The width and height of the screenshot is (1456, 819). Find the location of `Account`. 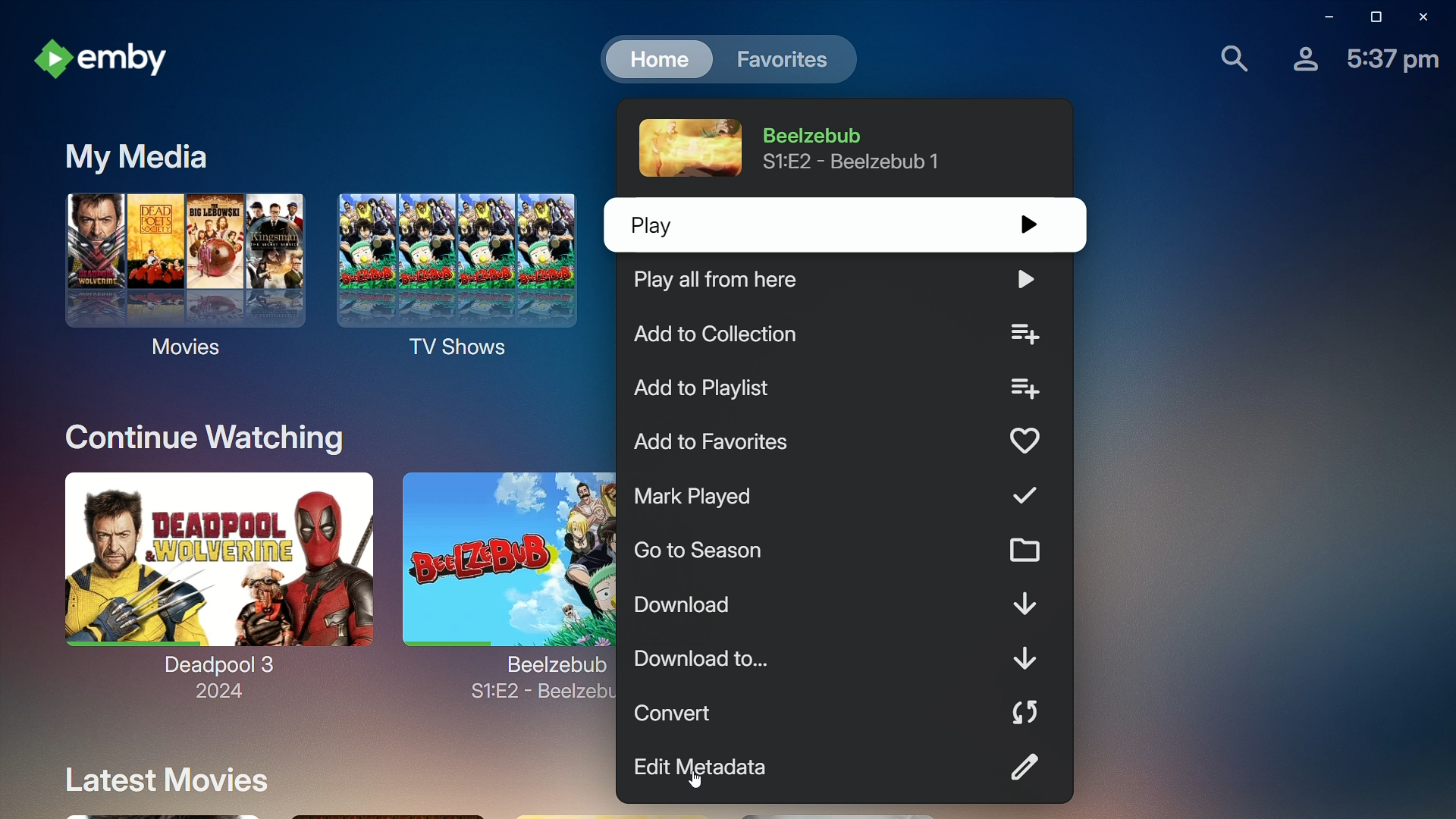

Account is located at coordinates (1298, 61).